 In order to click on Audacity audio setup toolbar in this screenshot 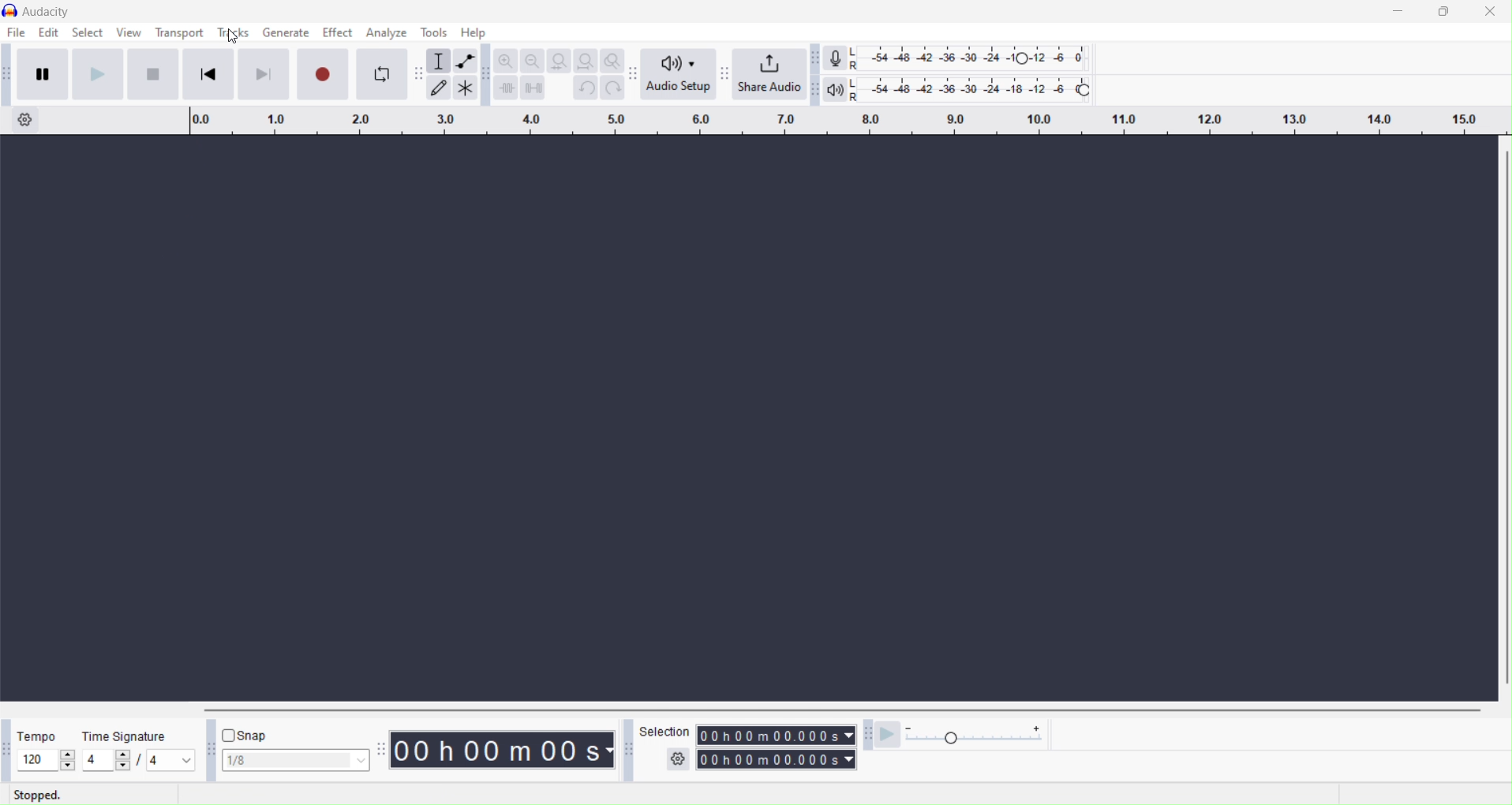, I will do `click(634, 74)`.